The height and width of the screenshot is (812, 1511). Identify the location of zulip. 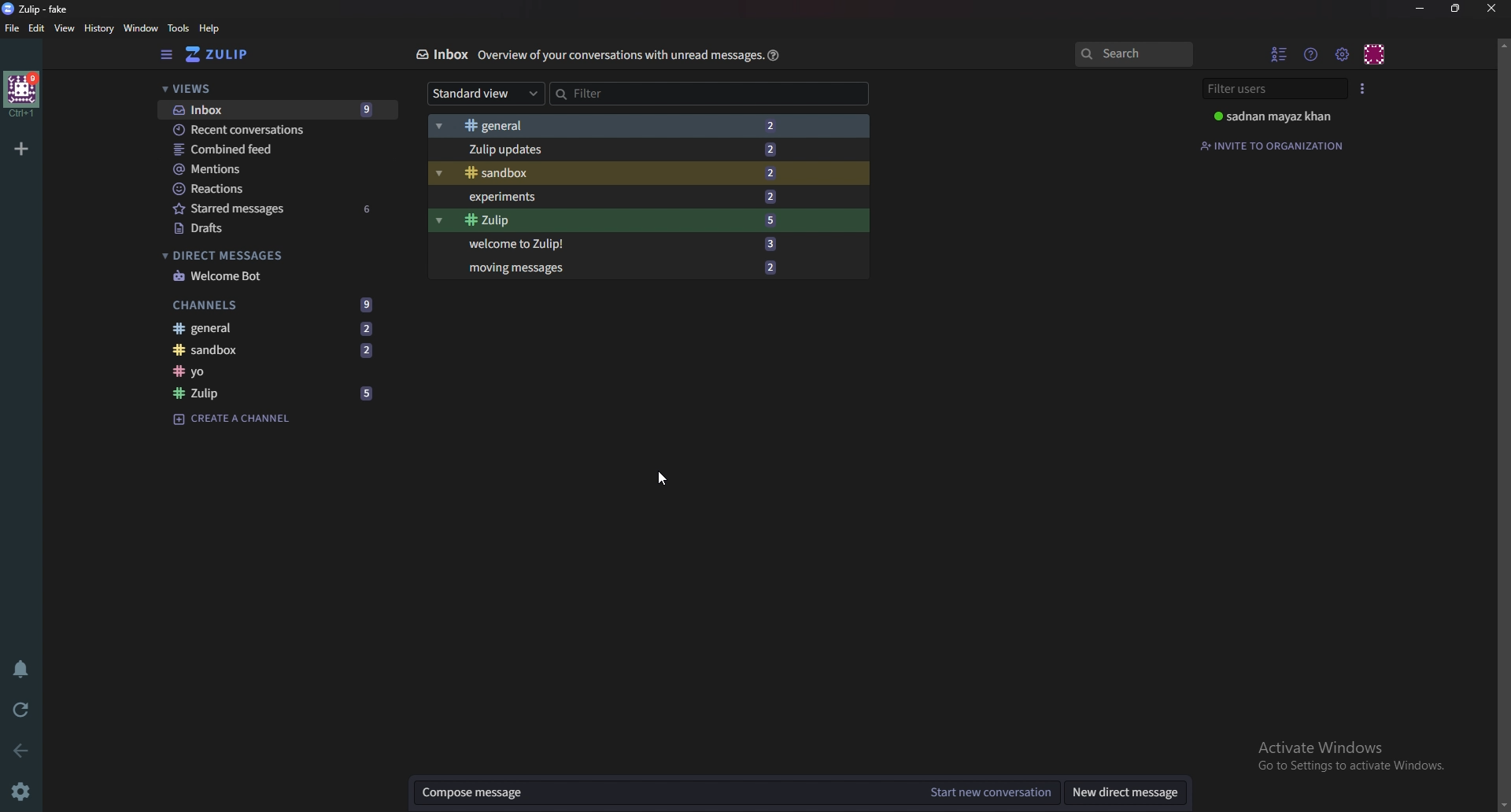
(277, 393).